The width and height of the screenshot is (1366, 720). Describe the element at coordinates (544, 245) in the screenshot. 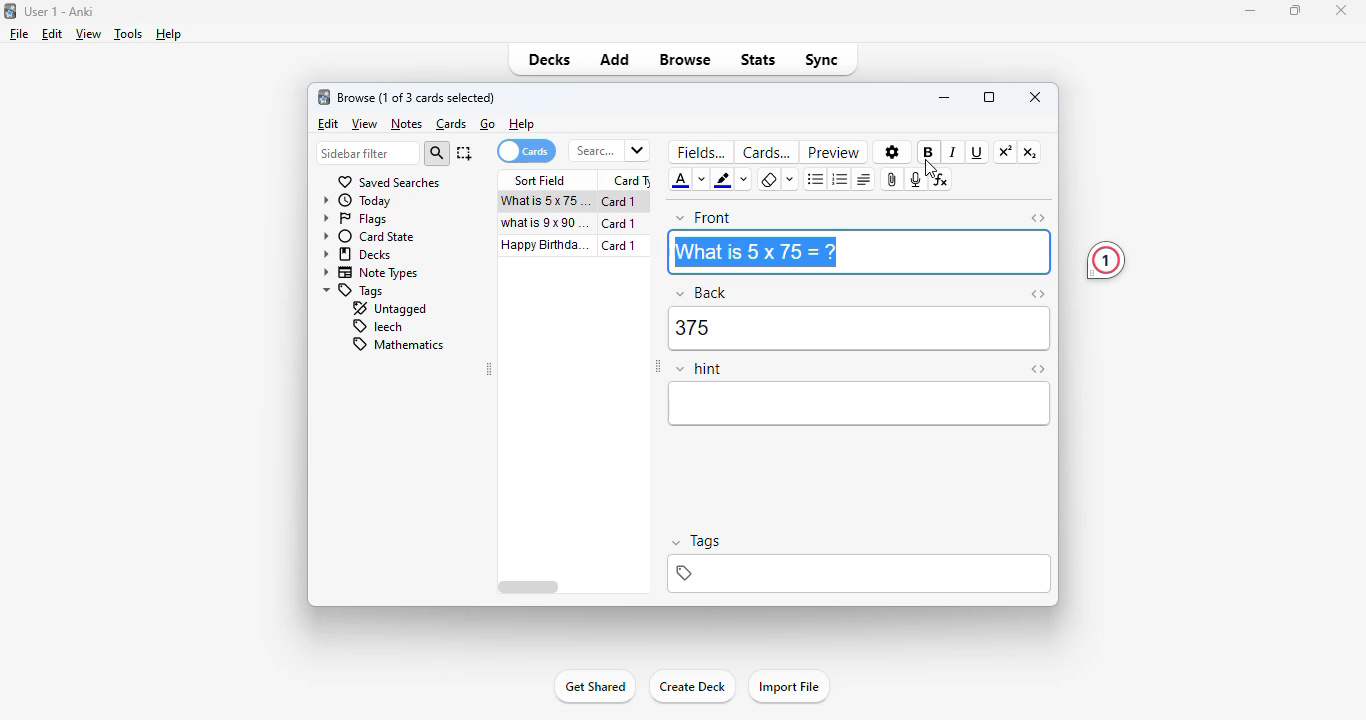

I see `happy birthday song!!!.mp3` at that location.